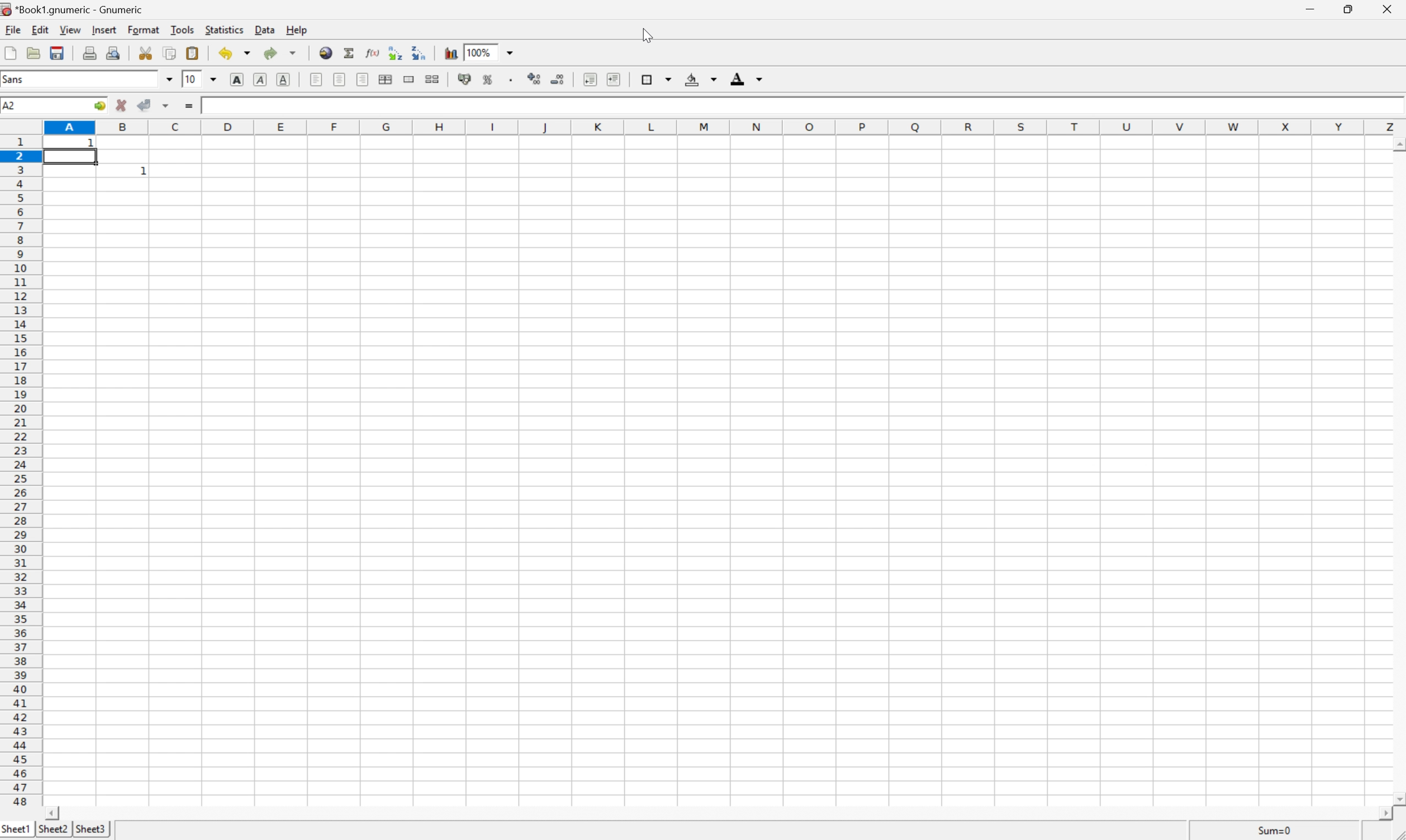 The width and height of the screenshot is (1406, 840). What do you see at coordinates (434, 78) in the screenshot?
I see `split merged ranges of cells` at bounding box center [434, 78].